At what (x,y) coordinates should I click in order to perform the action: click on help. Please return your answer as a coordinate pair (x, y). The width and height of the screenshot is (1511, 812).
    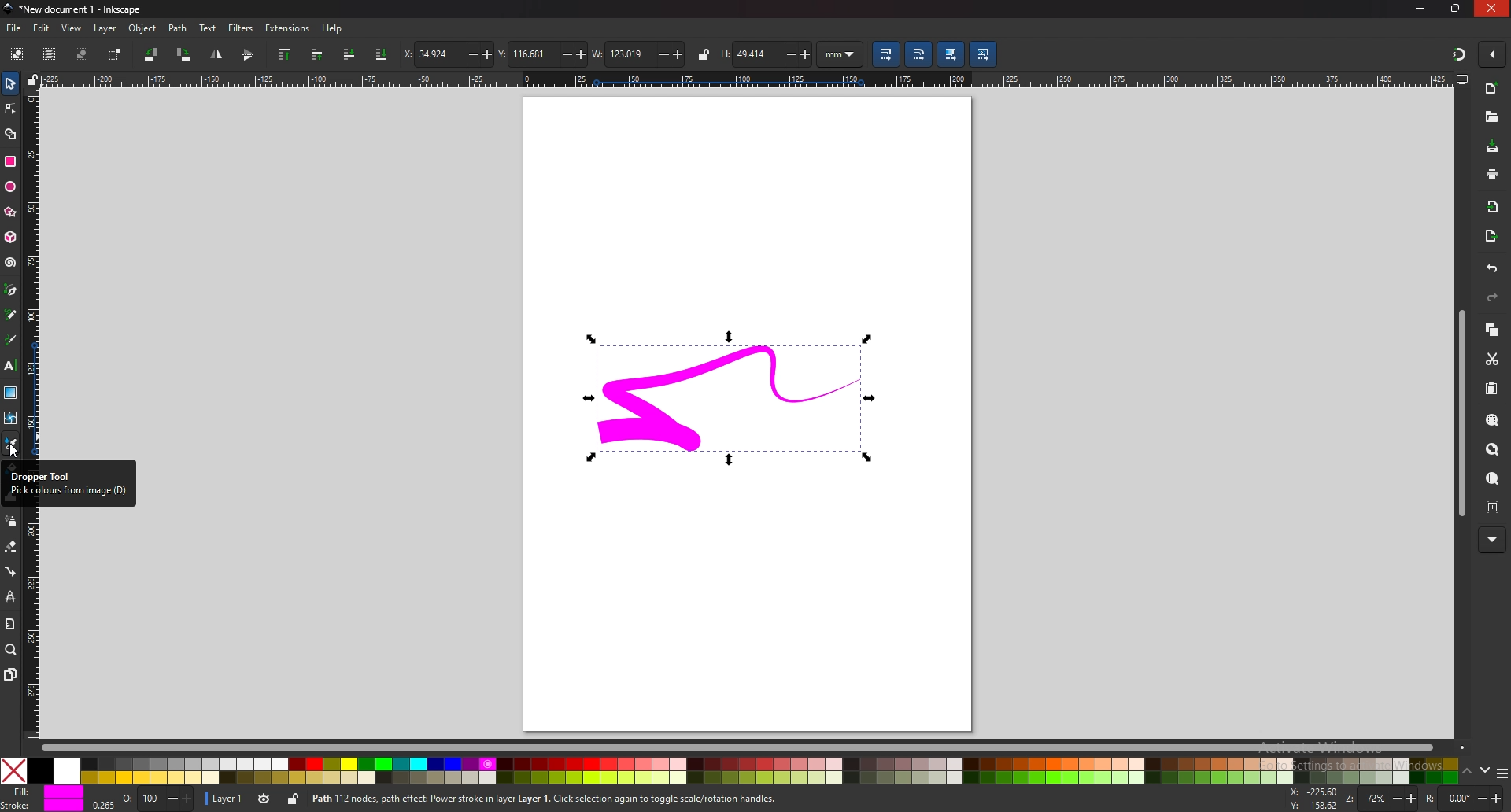
    Looking at the image, I should click on (334, 28).